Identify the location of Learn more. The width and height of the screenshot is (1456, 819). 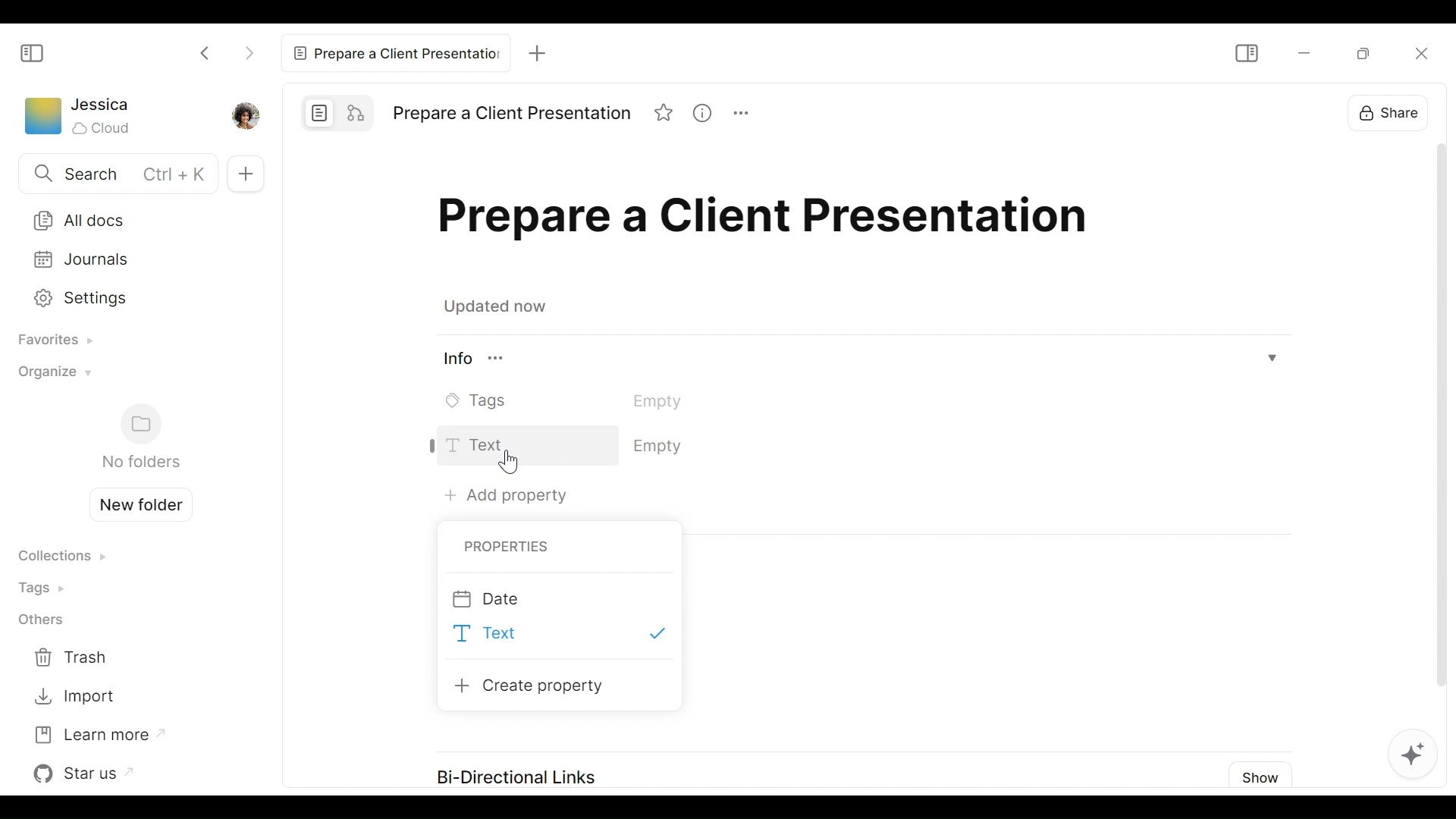
(98, 733).